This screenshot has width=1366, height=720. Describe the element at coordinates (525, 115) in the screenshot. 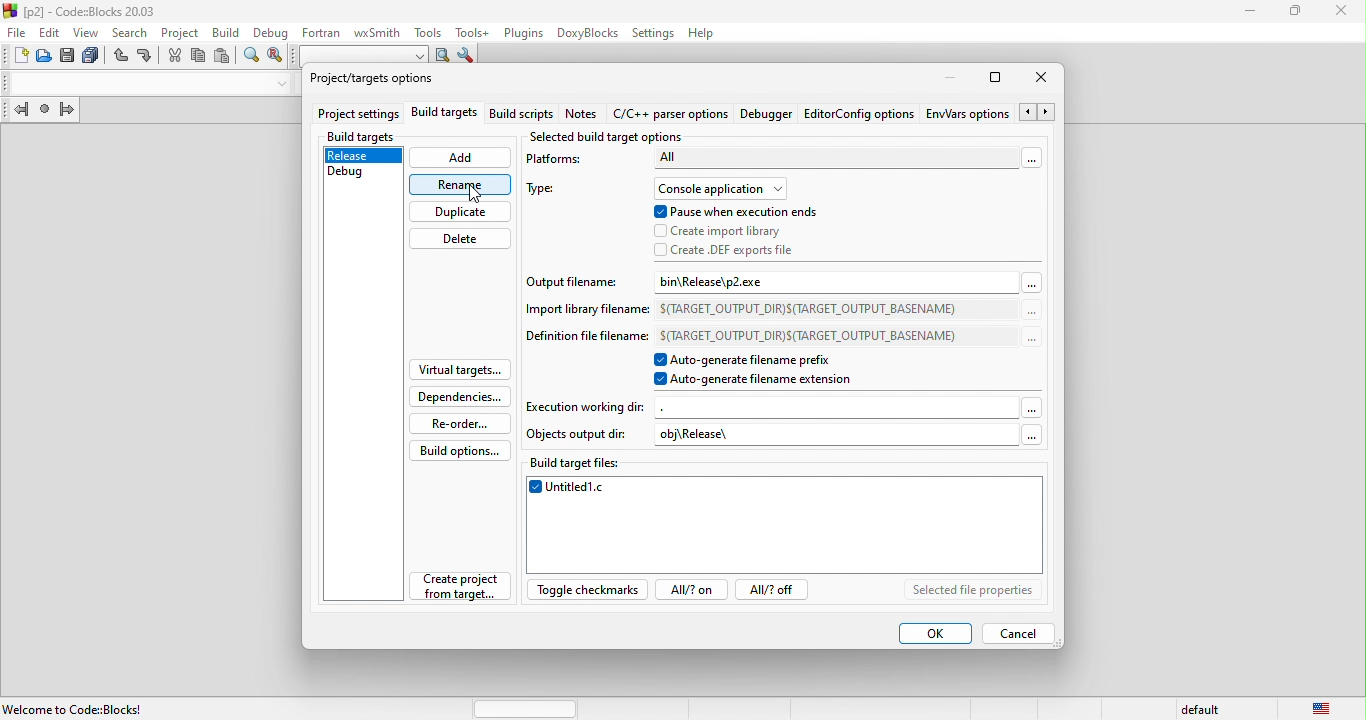

I see `build script ` at that location.